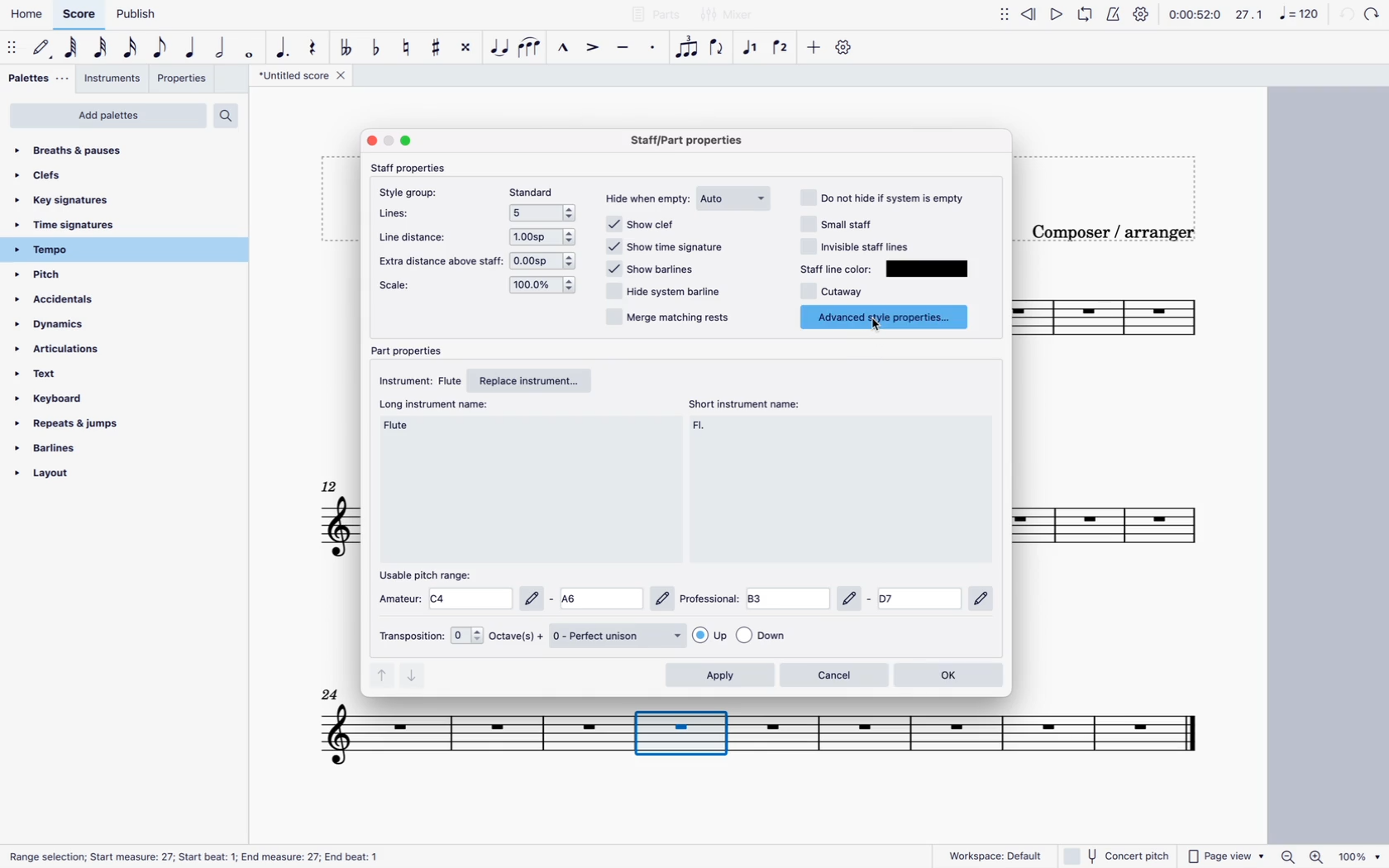  Describe the element at coordinates (187, 81) in the screenshot. I see `properties` at that location.